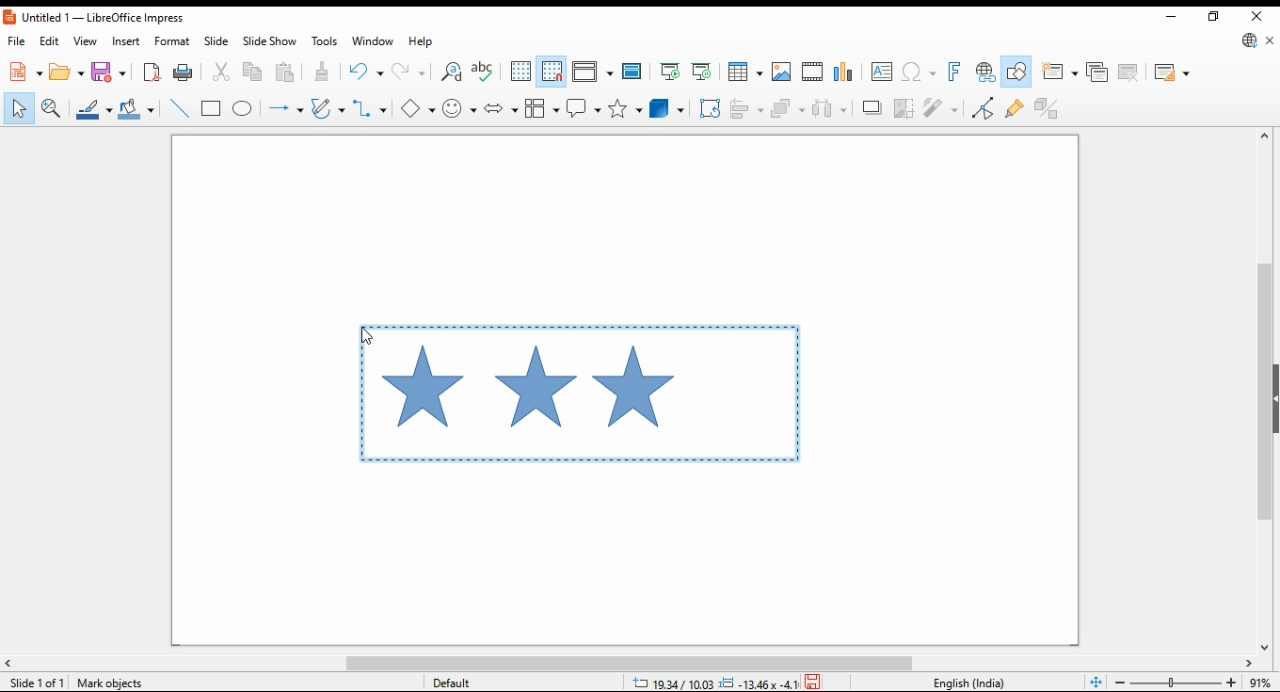 The image size is (1280, 692). Describe the element at coordinates (1247, 40) in the screenshot. I see `libre office updte` at that location.